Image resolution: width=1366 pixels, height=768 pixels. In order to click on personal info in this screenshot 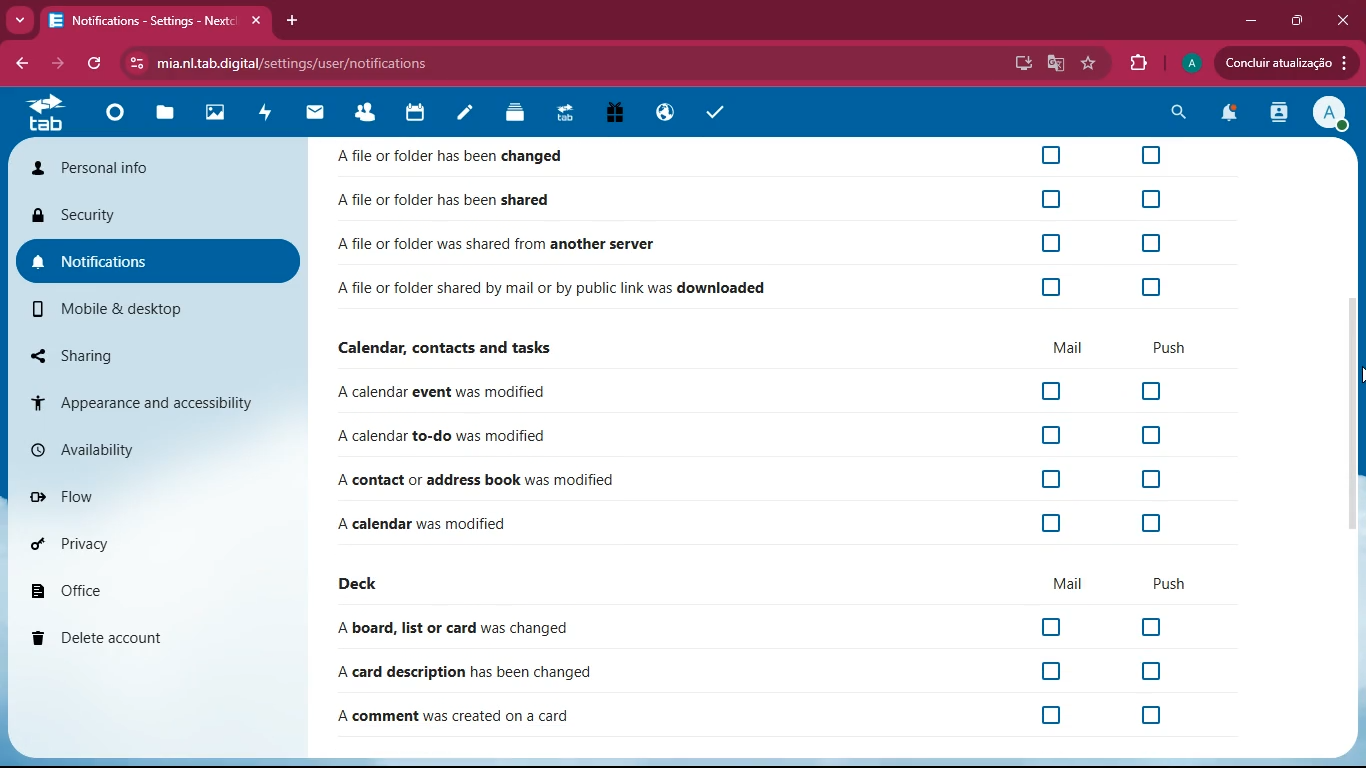, I will do `click(126, 168)`.